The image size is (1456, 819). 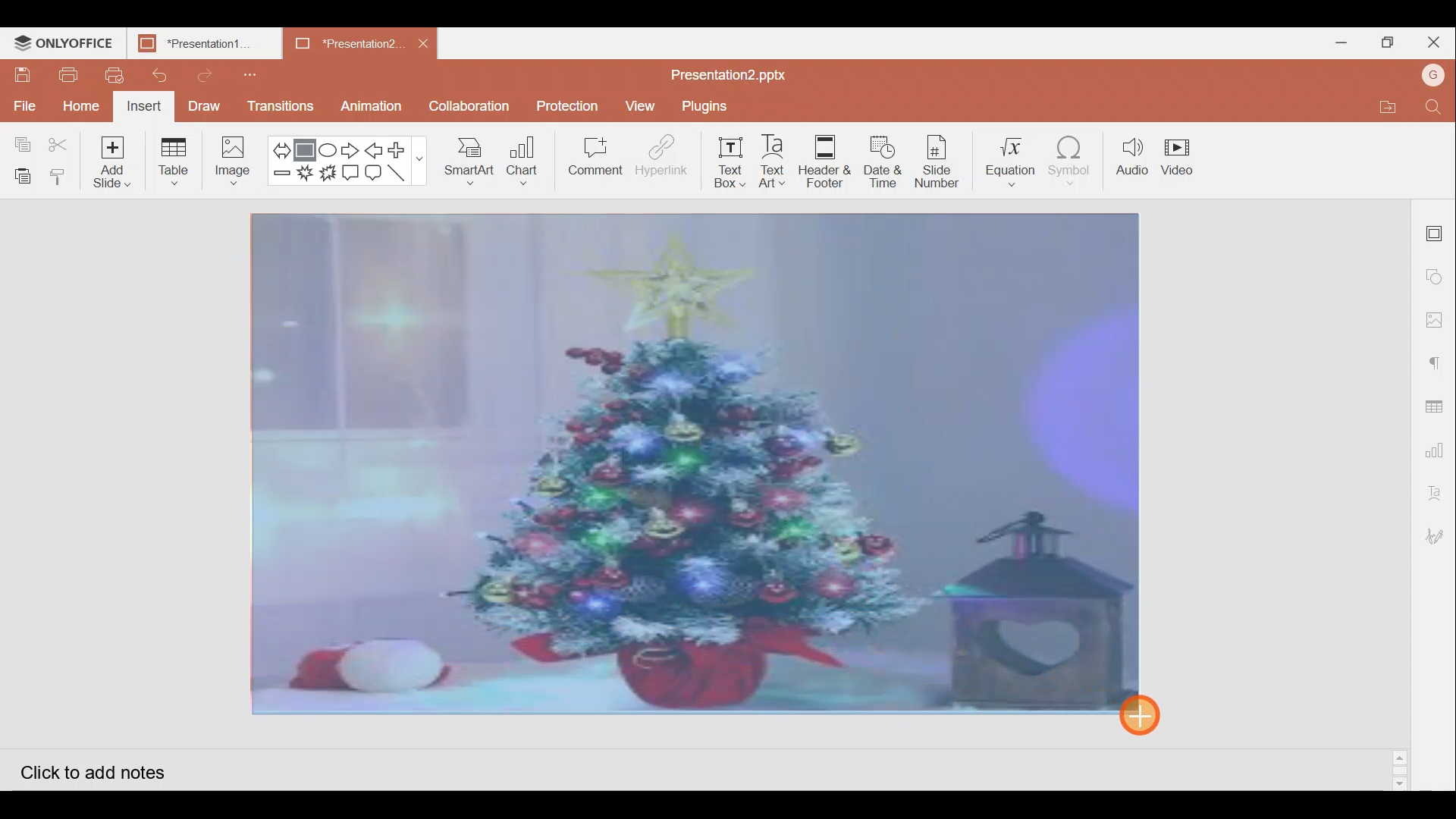 What do you see at coordinates (281, 177) in the screenshot?
I see `Minus` at bounding box center [281, 177].